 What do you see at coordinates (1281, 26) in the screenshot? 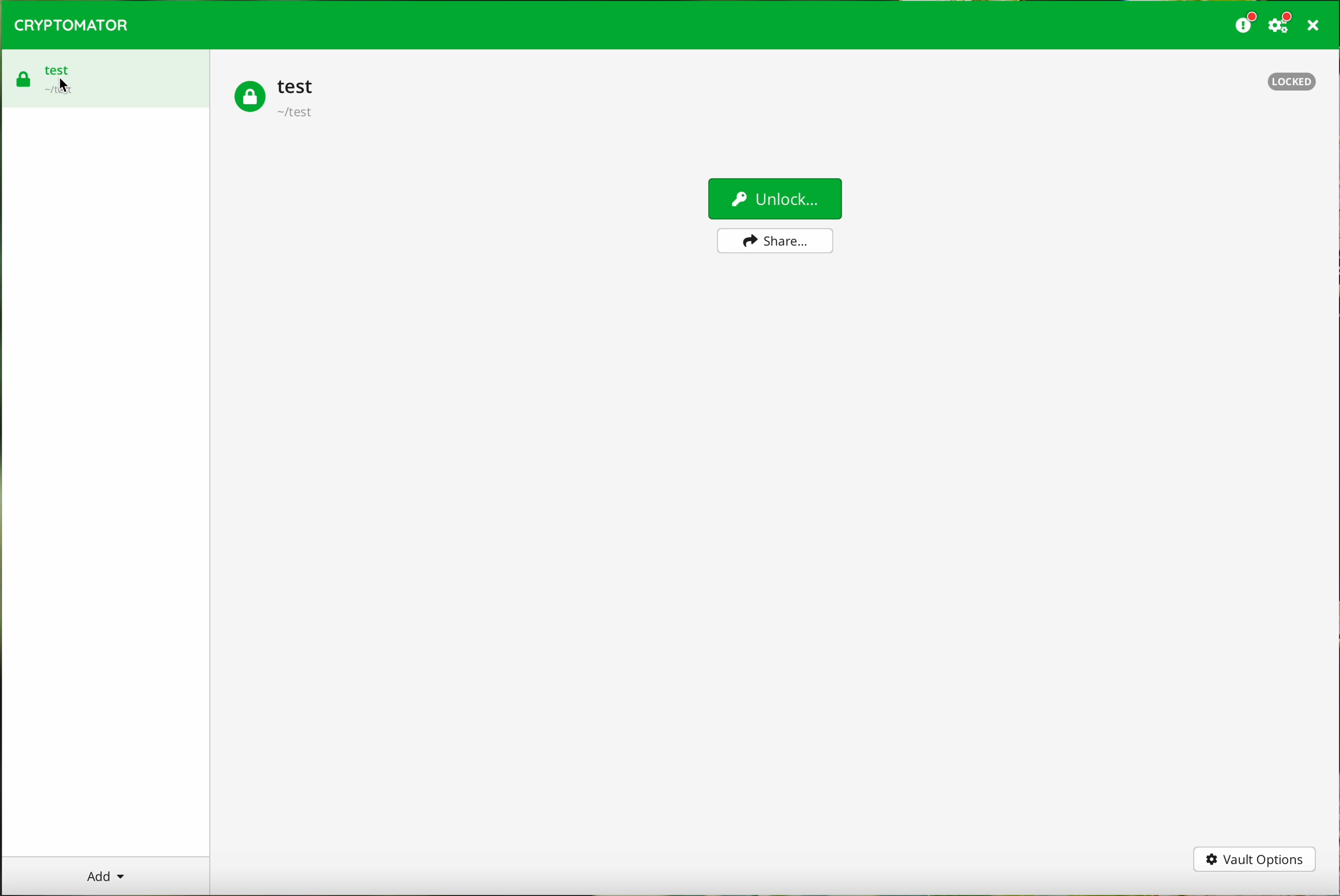
I see `settings` at bounding box center [1281, 26].